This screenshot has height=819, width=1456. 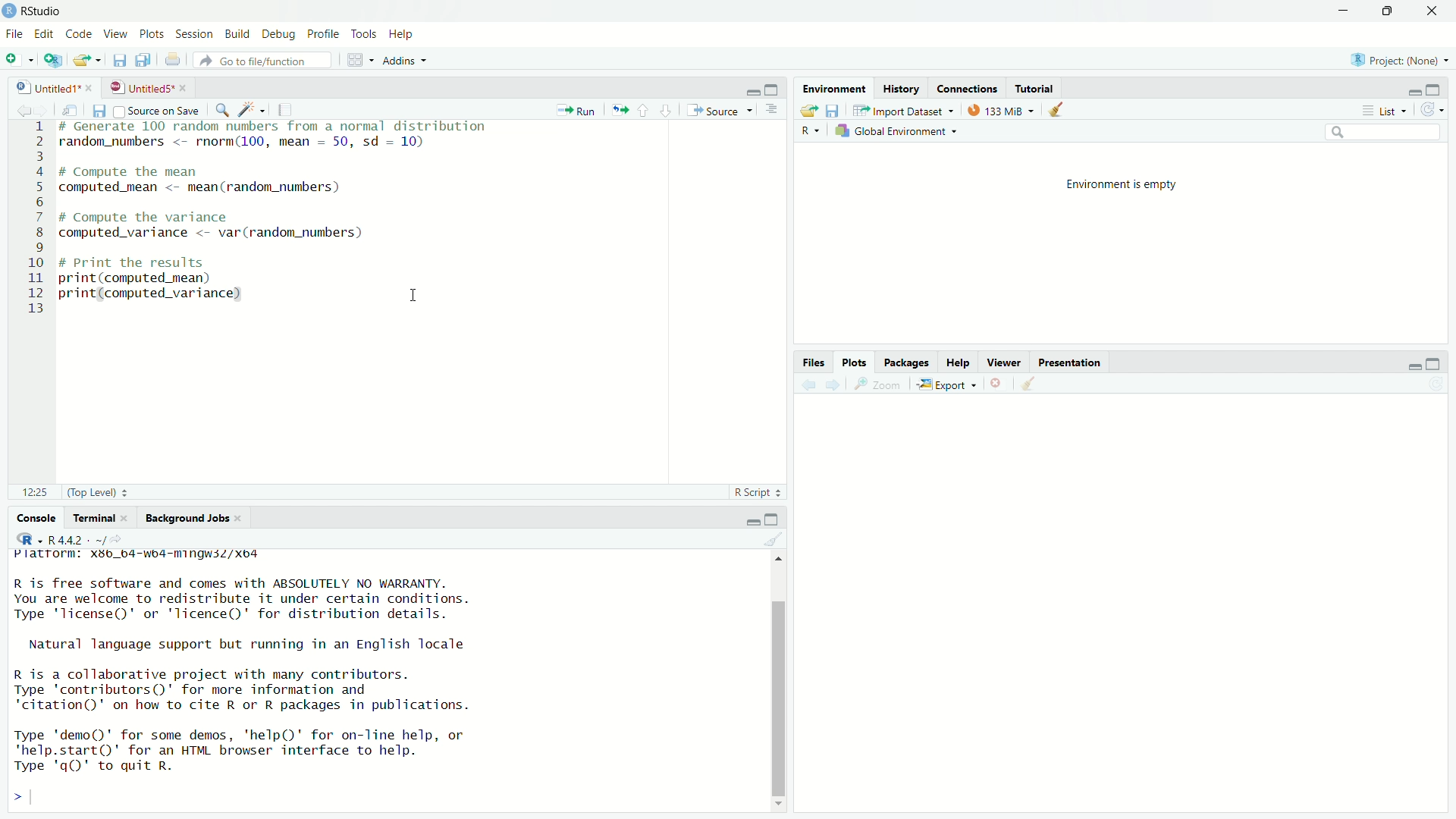 What do you see at coordinates (1031, 384) in the screenshot?
I see `clear all plots` at bounding box center [1031, 384].